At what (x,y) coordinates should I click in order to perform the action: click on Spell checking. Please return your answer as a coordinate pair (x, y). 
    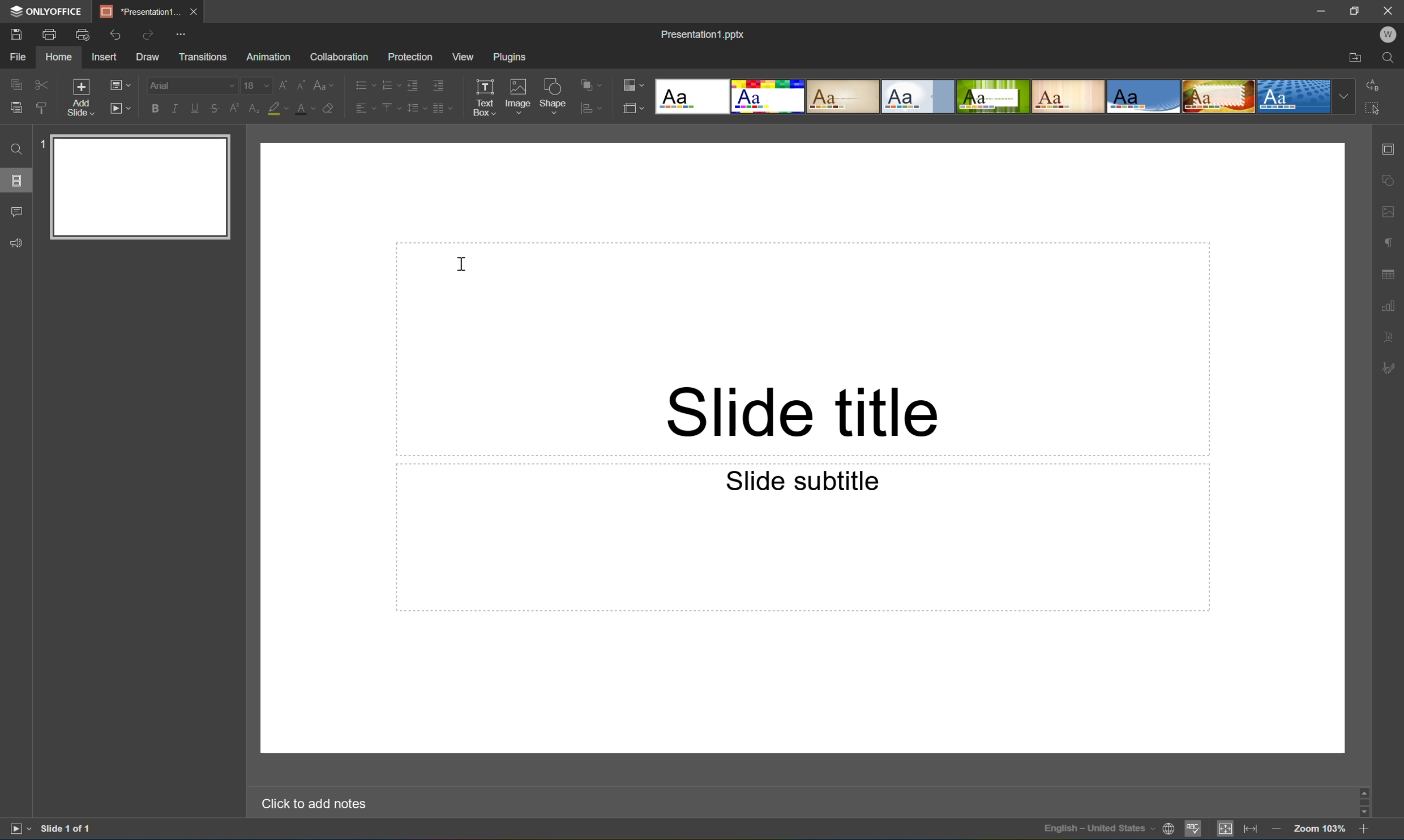
    Looking at the image, I should click on (1193, 829).